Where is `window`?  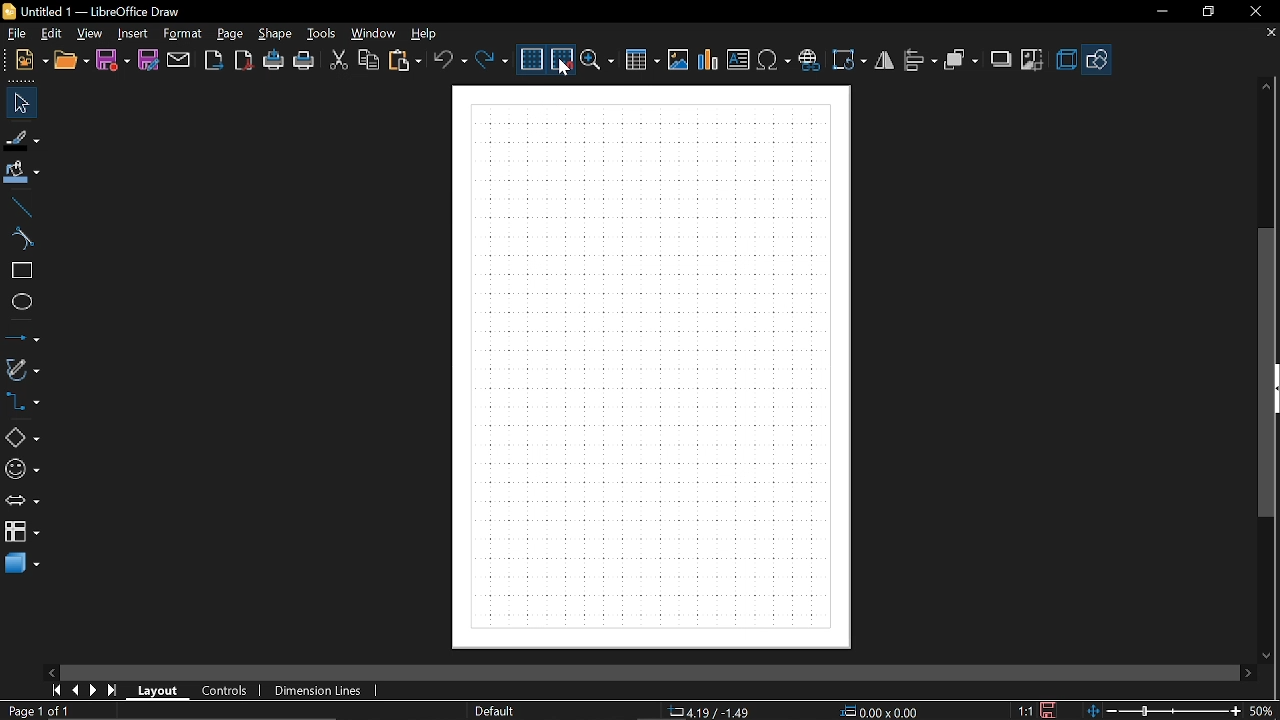
window is located at coordinates (374, 35).